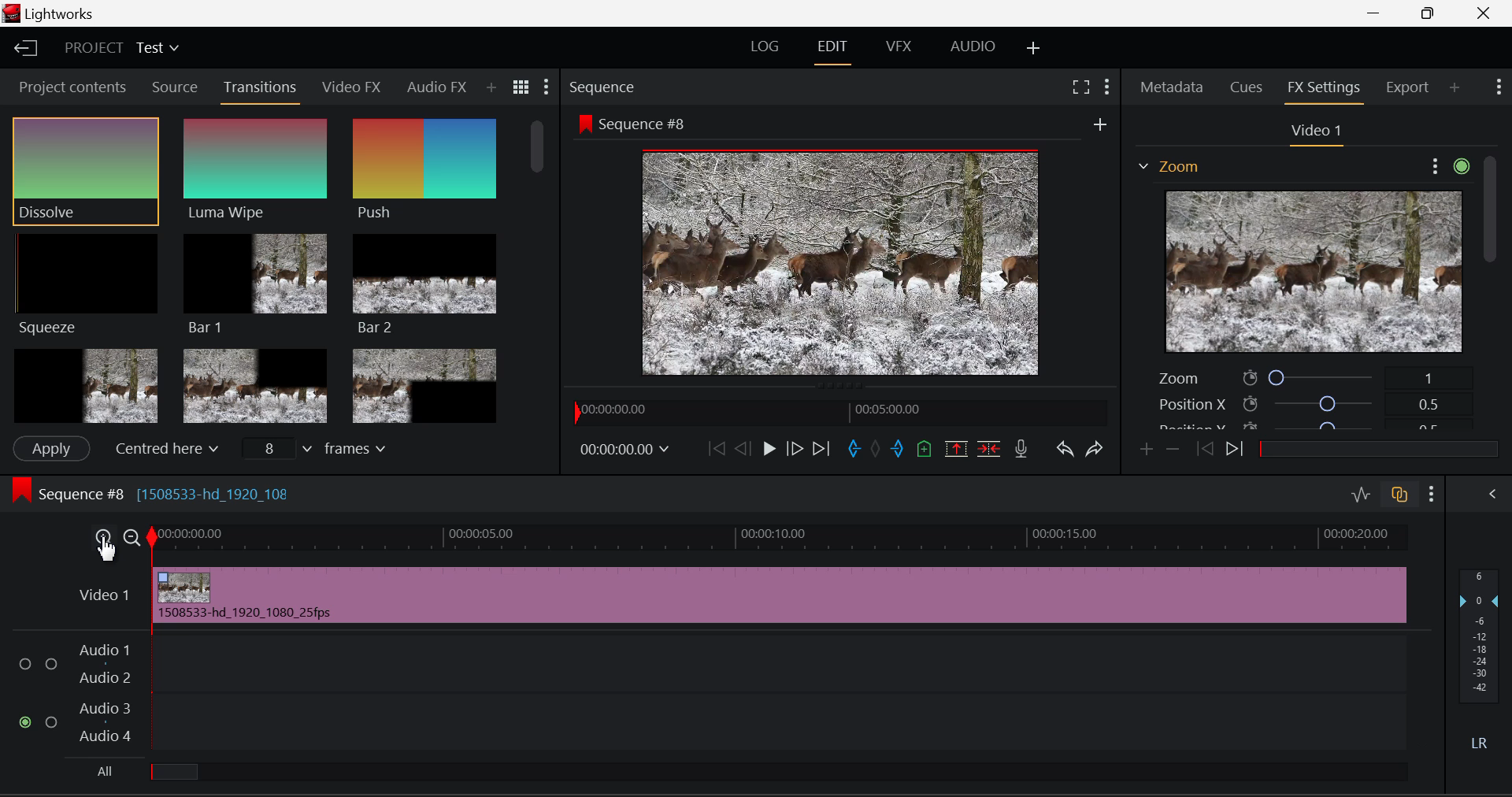  What do you see at coordinates (1495, 87) in the screenshot?
I see `Show Settings` at bounding box center [1495, 87].